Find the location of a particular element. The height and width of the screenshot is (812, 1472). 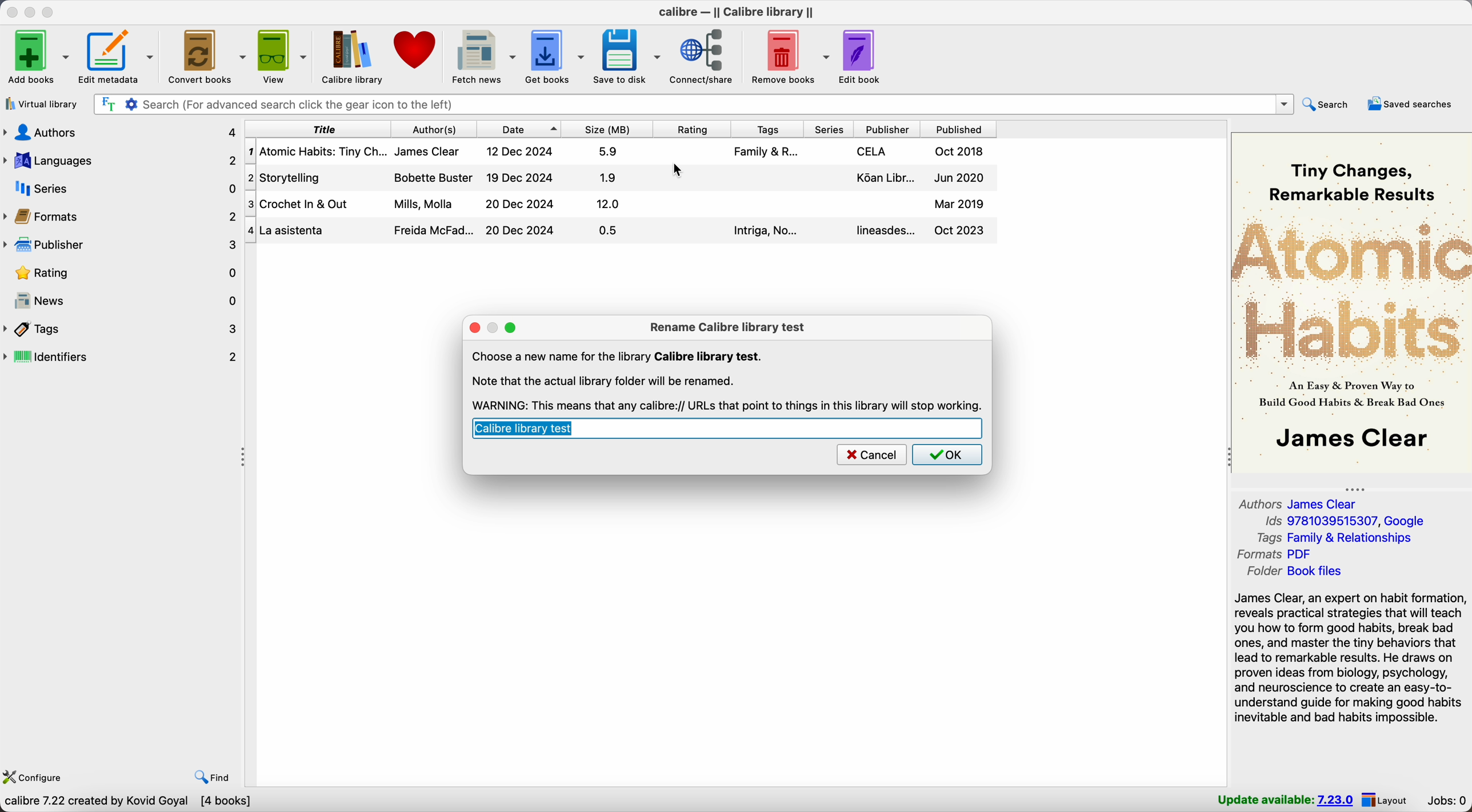

close popup is located at coordinates (475, 329).